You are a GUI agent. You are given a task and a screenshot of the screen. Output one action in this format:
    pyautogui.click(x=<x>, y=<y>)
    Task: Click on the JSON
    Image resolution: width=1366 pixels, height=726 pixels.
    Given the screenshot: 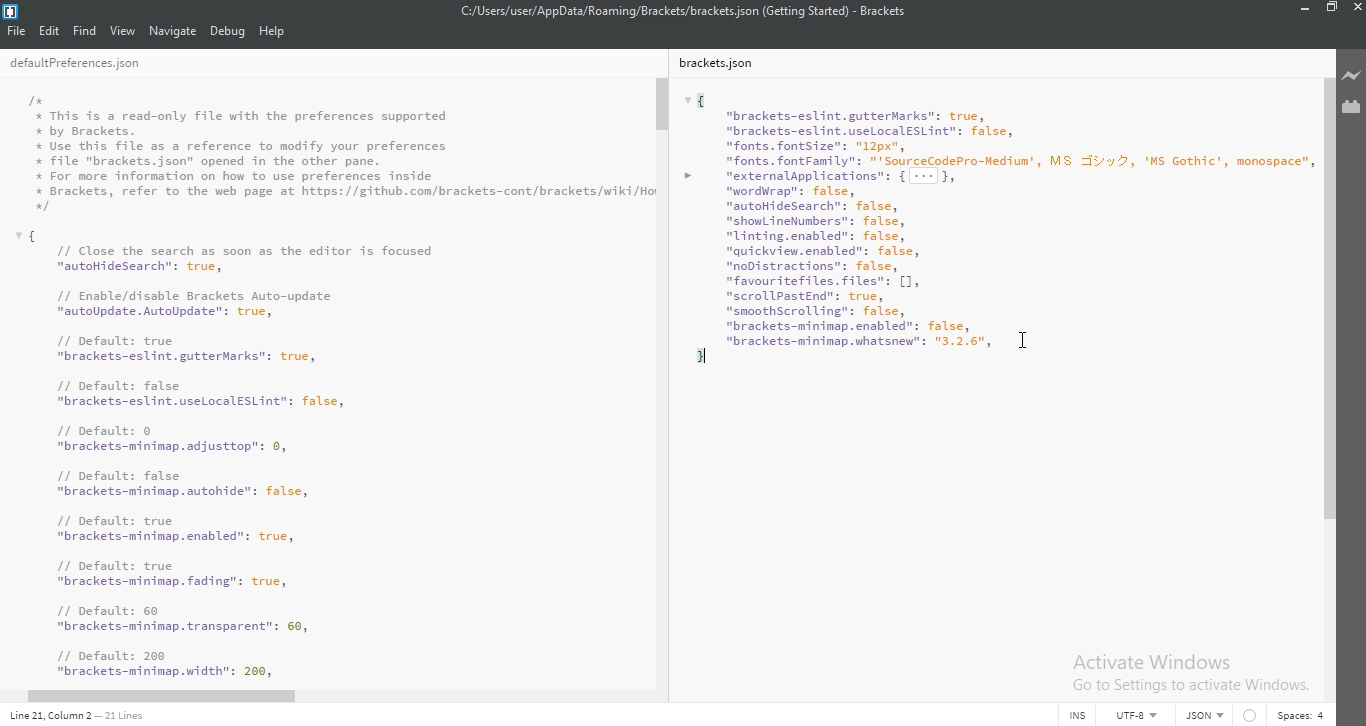 What is the action you would take?
    pyautogui.click(x=1201, y=716)
    